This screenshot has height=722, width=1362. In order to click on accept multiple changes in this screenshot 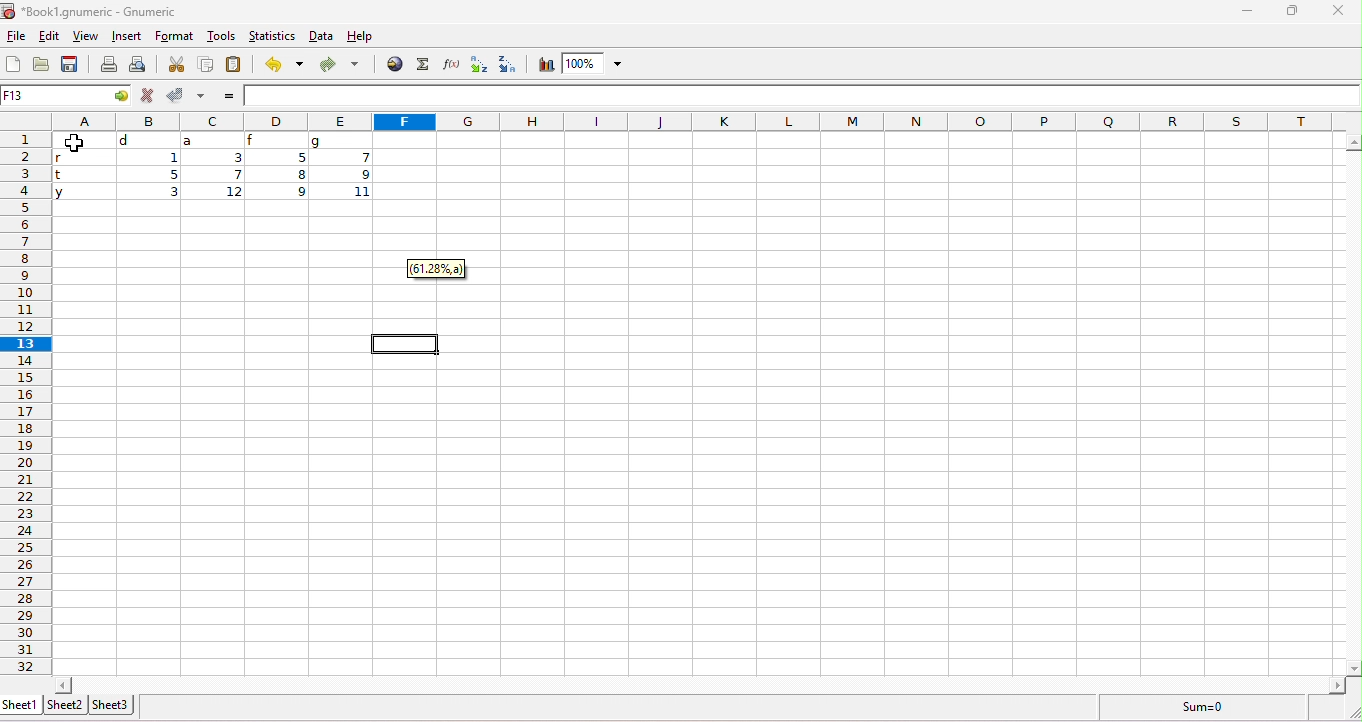, I will do `click(202, 95)`.